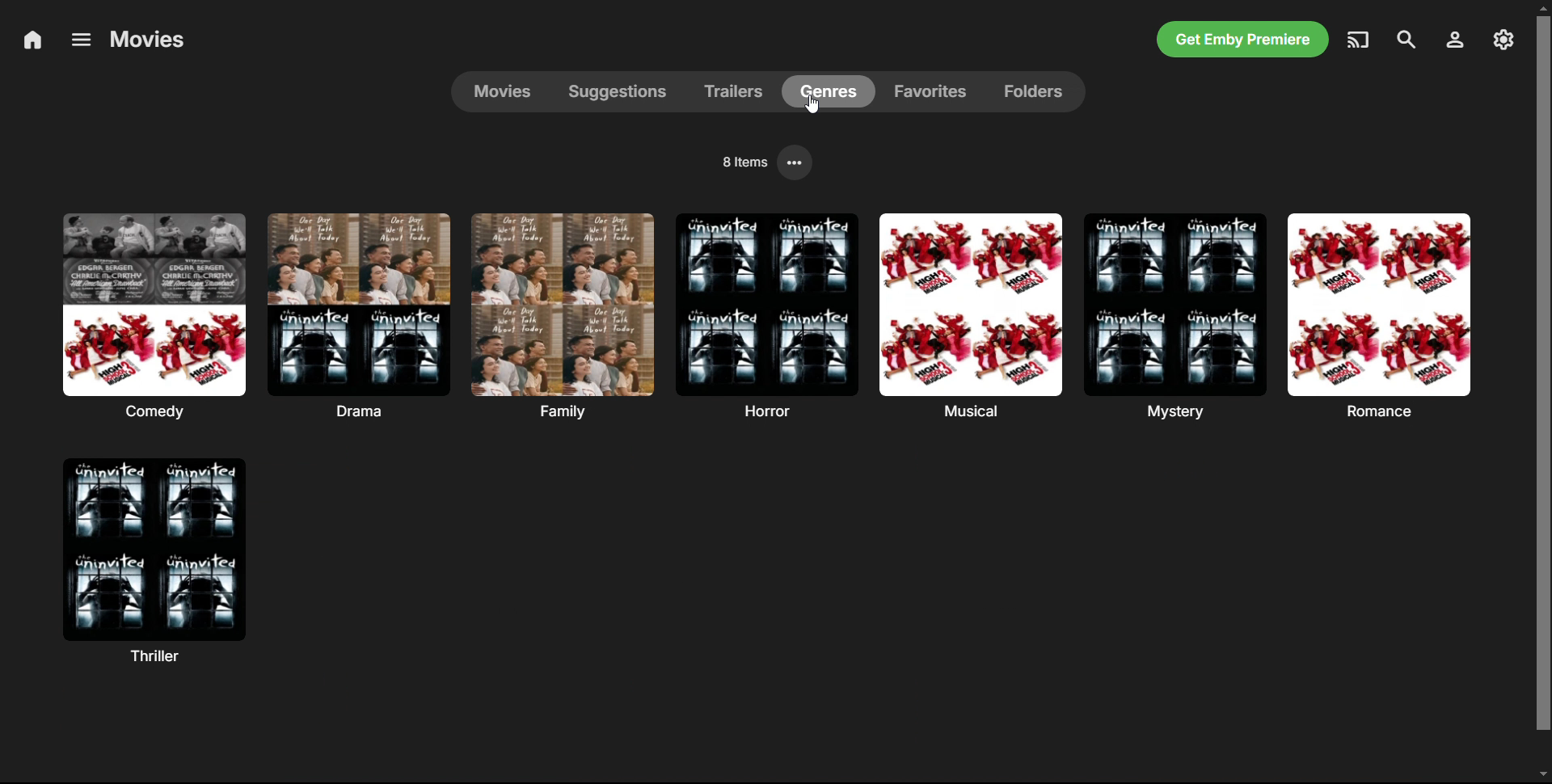 The image size is (1552, 784). Describe the element at coordinates (1243, 40) in the screenshot. I see `get emby premiere` at that location.